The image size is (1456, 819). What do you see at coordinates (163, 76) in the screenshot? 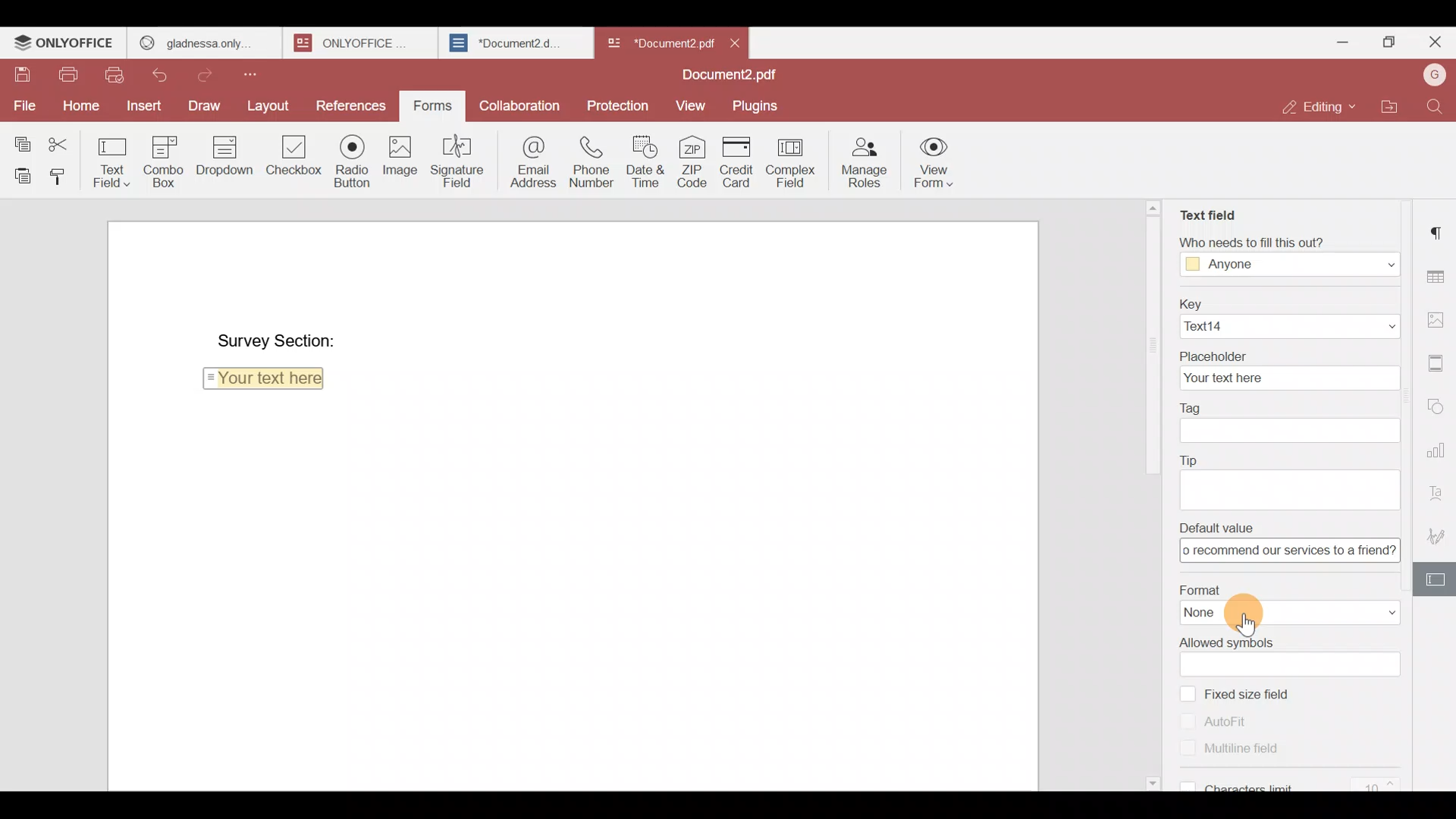
I see `Undo` at bounding box center [163, 76].